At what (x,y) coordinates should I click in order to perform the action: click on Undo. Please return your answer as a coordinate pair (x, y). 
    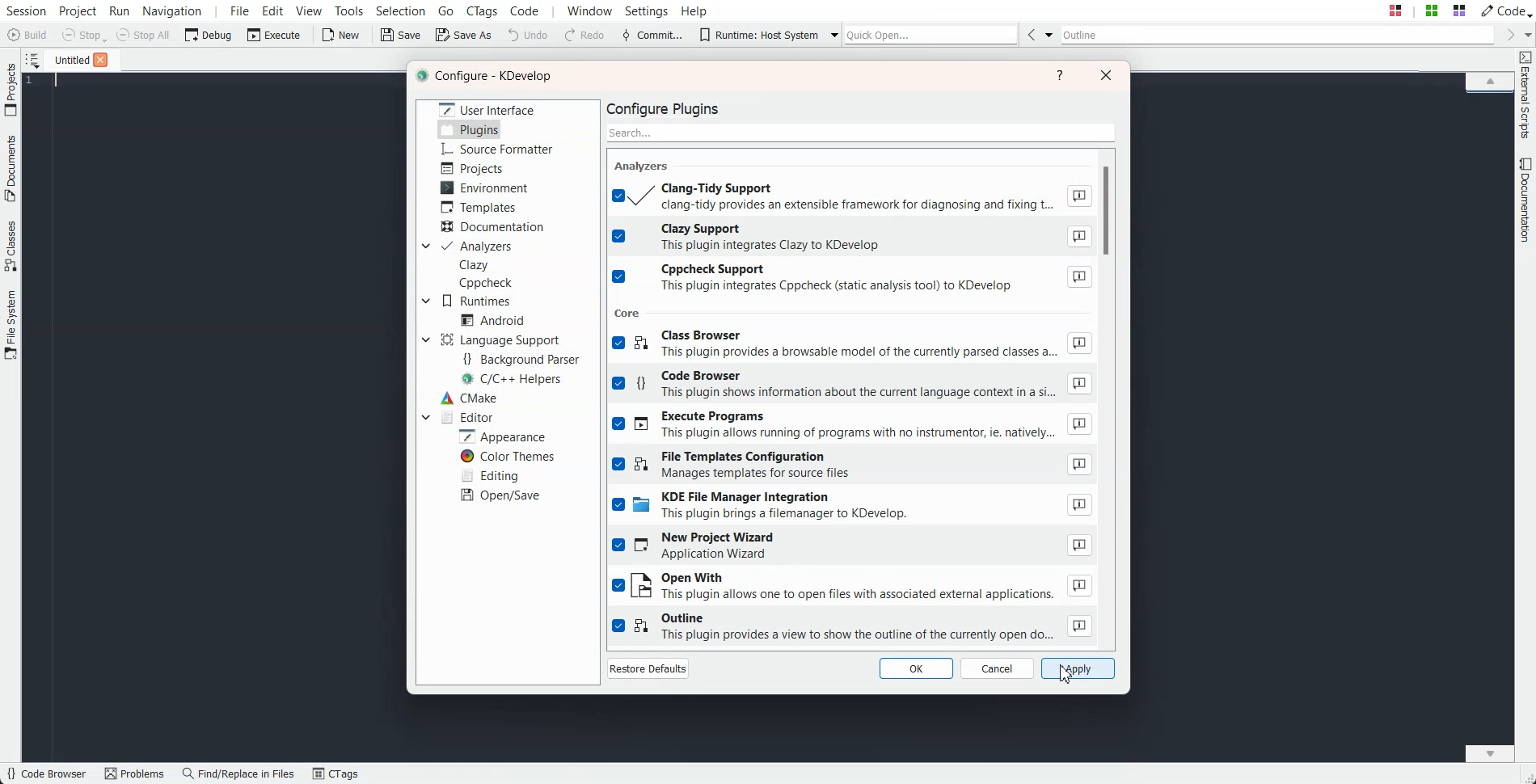
    Looking at the image, I should click on (528, 34).